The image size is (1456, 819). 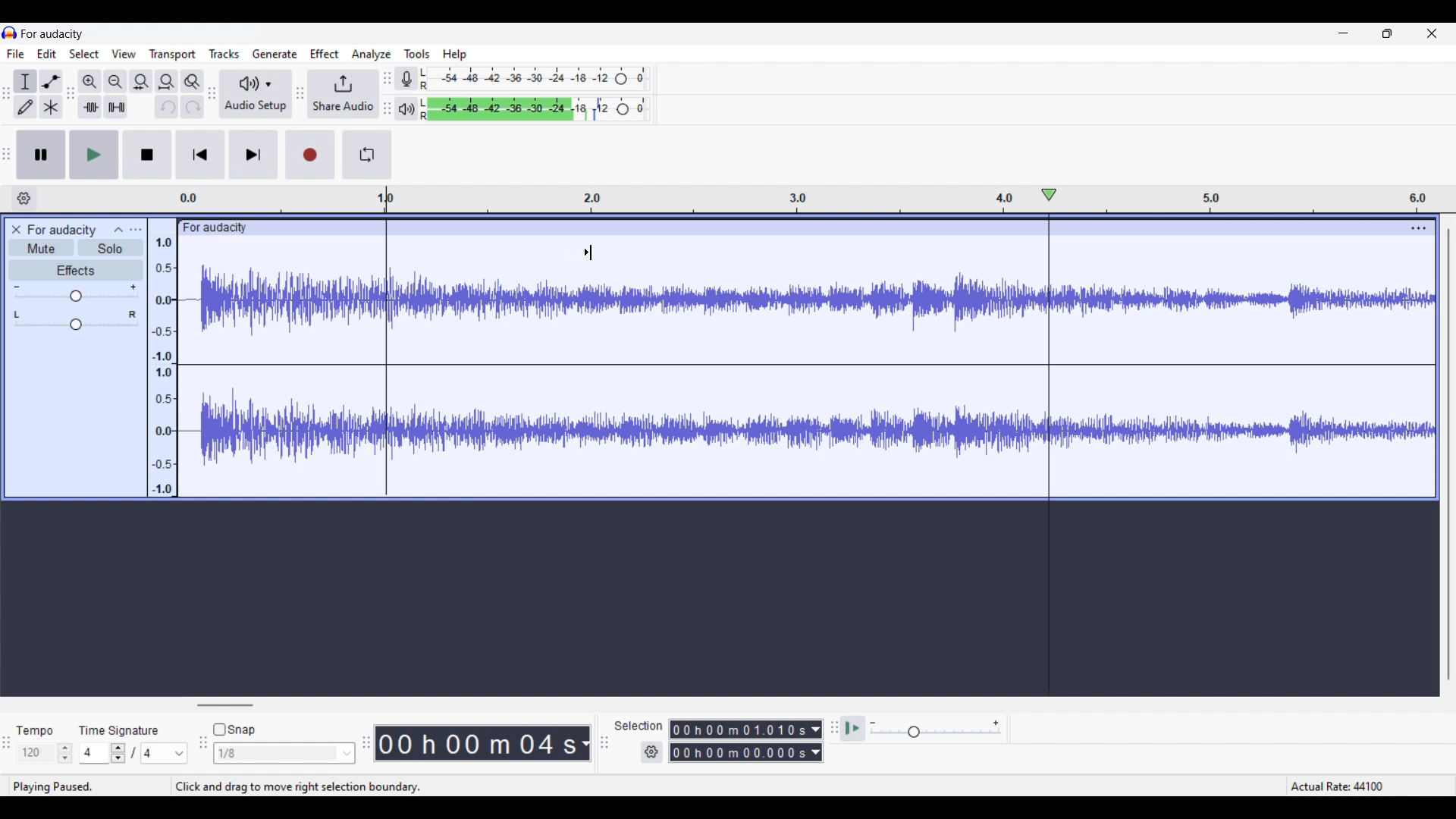 What do you see at coordinates (386, 341) in the screenshot?
I see `Selection start marked by cursor ` at bounding box center [386, 341].